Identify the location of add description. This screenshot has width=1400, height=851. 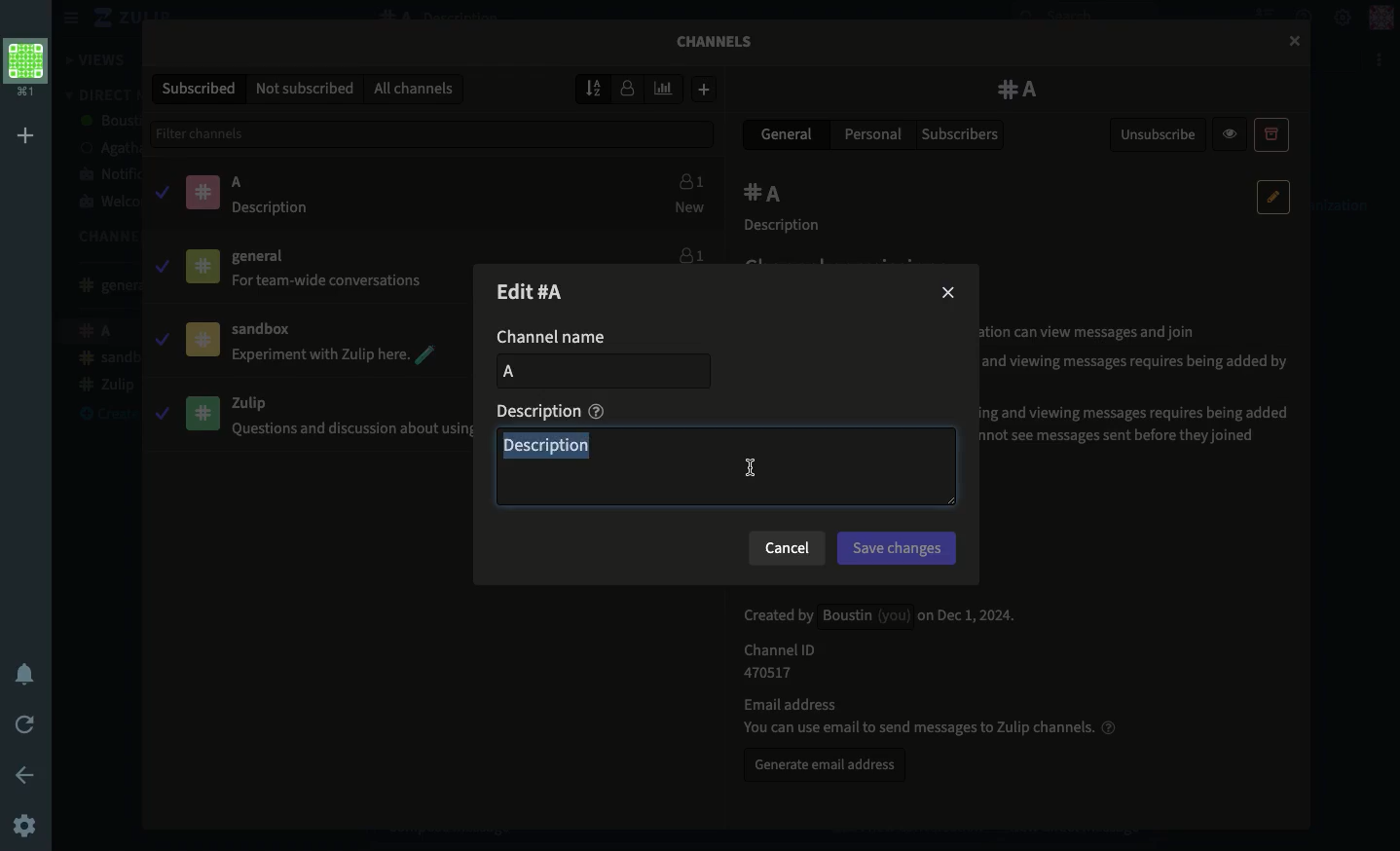
(728, 465).